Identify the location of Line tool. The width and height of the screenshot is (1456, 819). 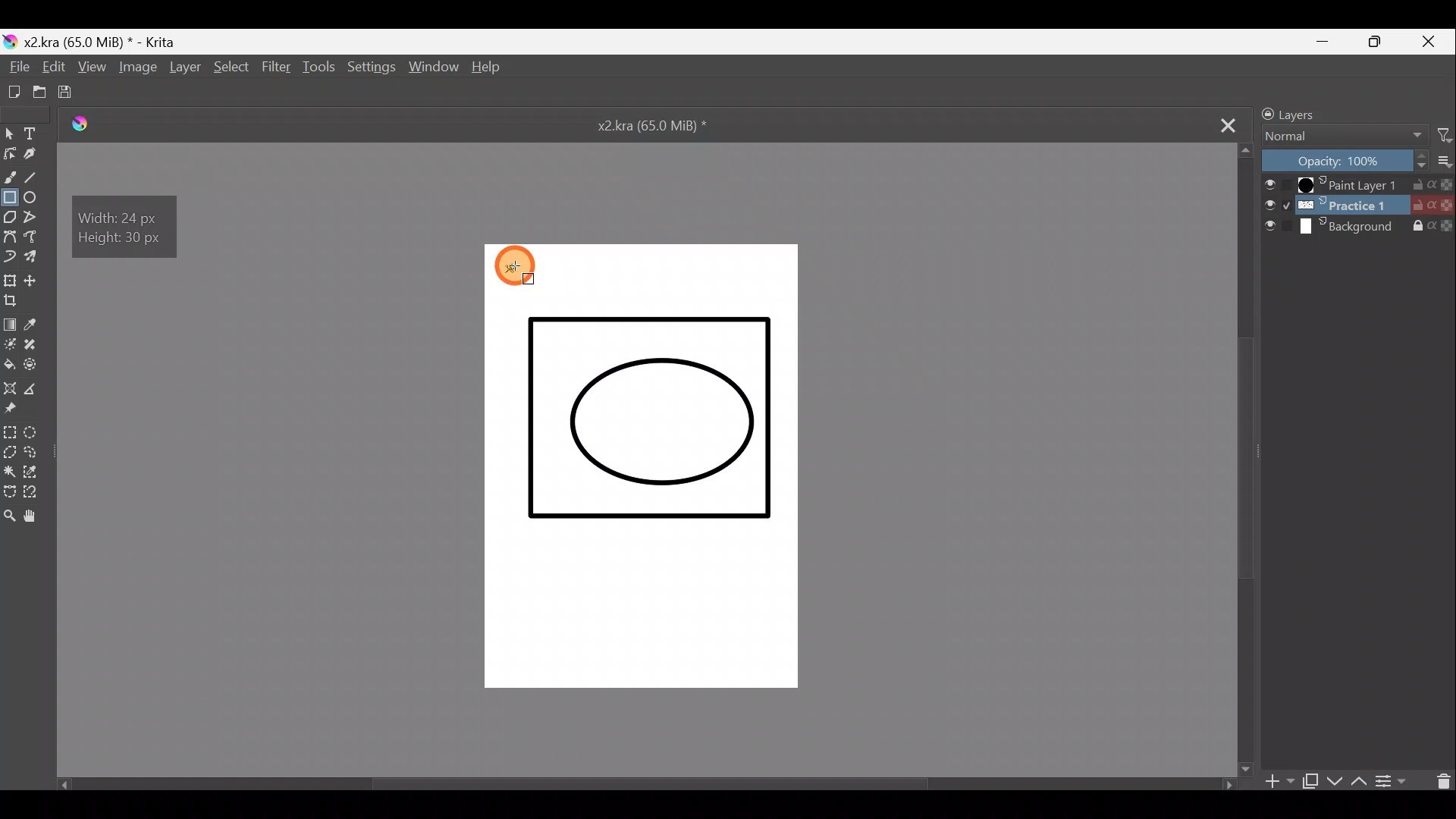
(39, 180).